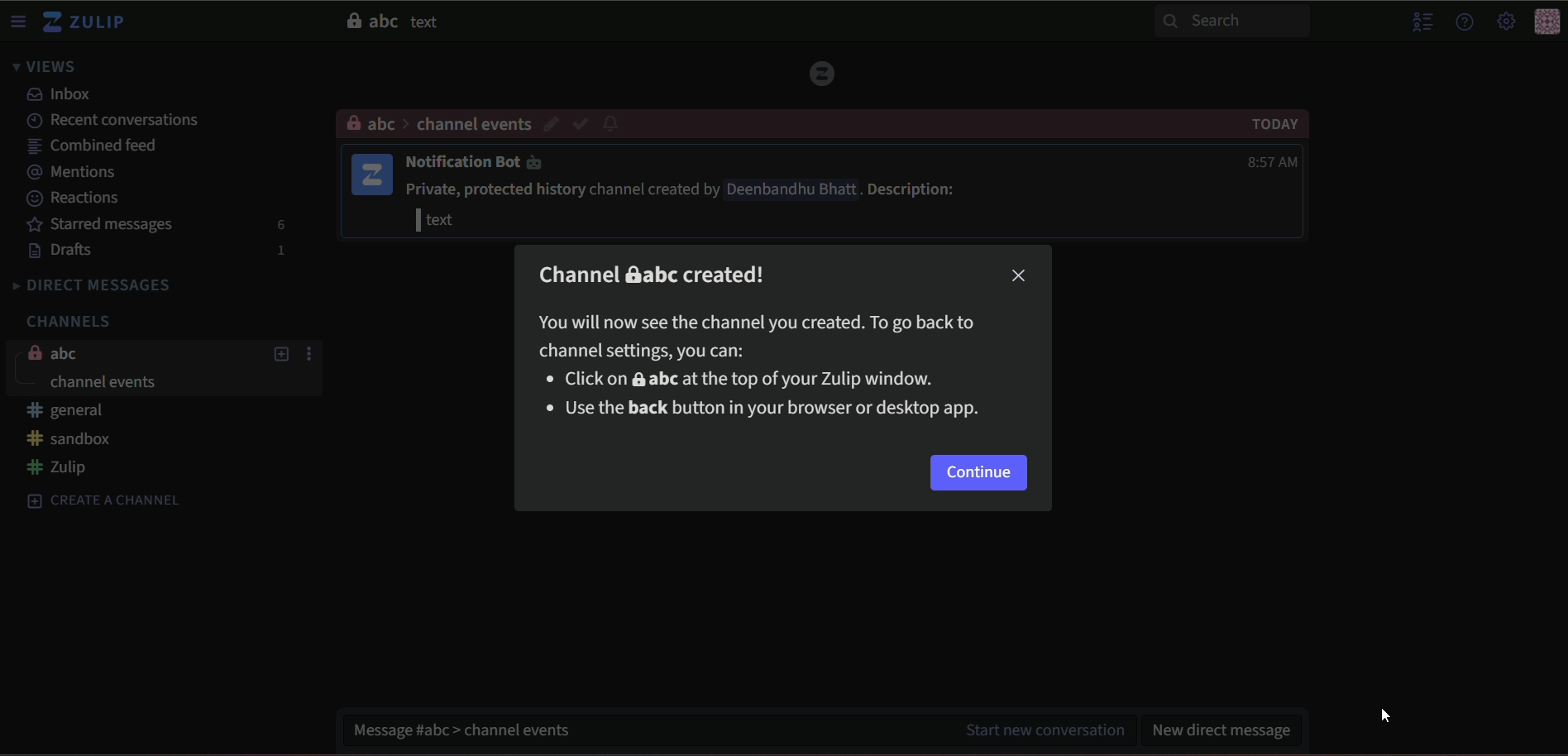 This screenshot has height=756, width=1568. I want to click on Search bar, so click(1225, 19).